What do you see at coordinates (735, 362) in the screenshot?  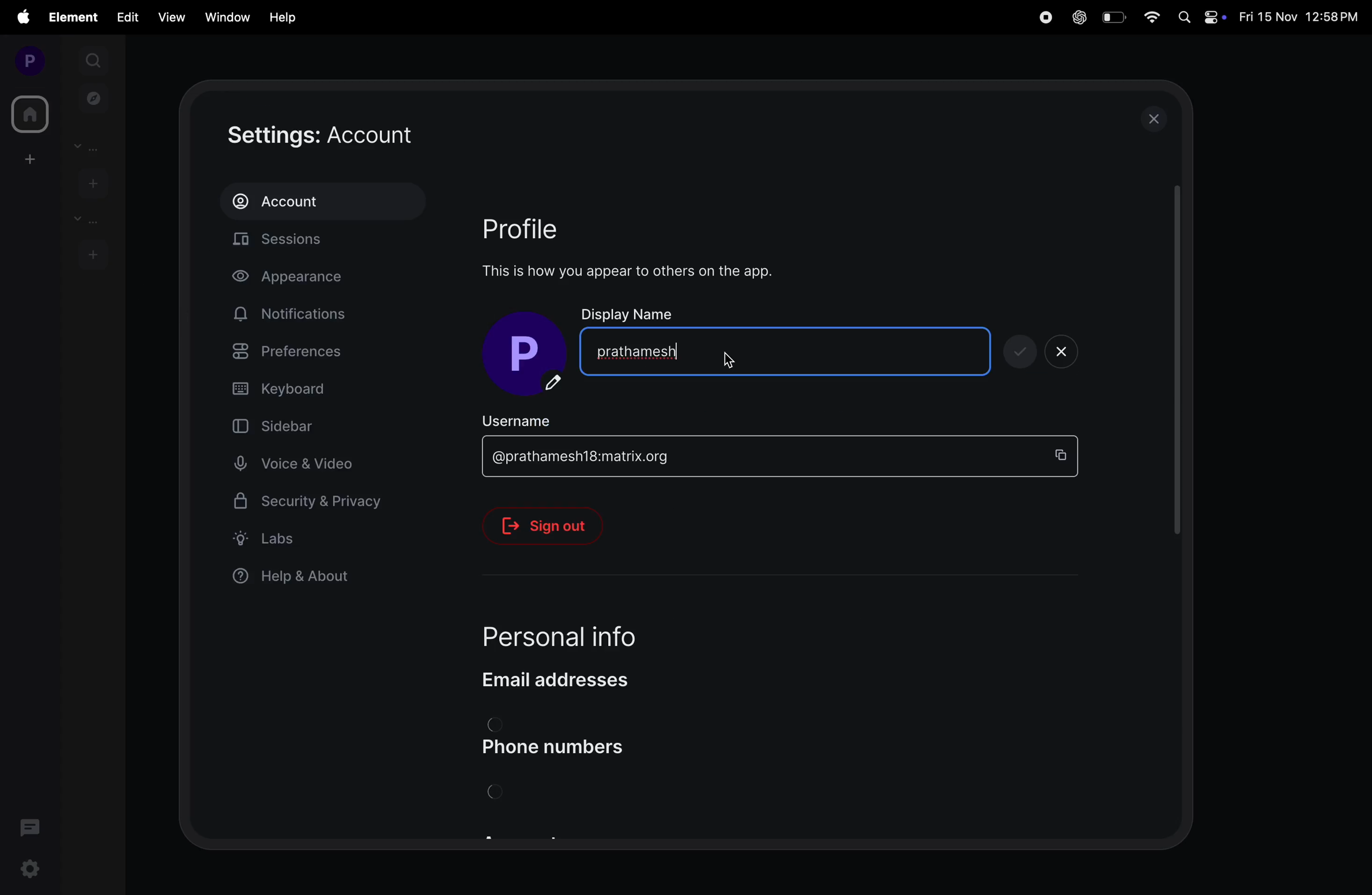 I see `cursor` at bounding box center [735, 362].